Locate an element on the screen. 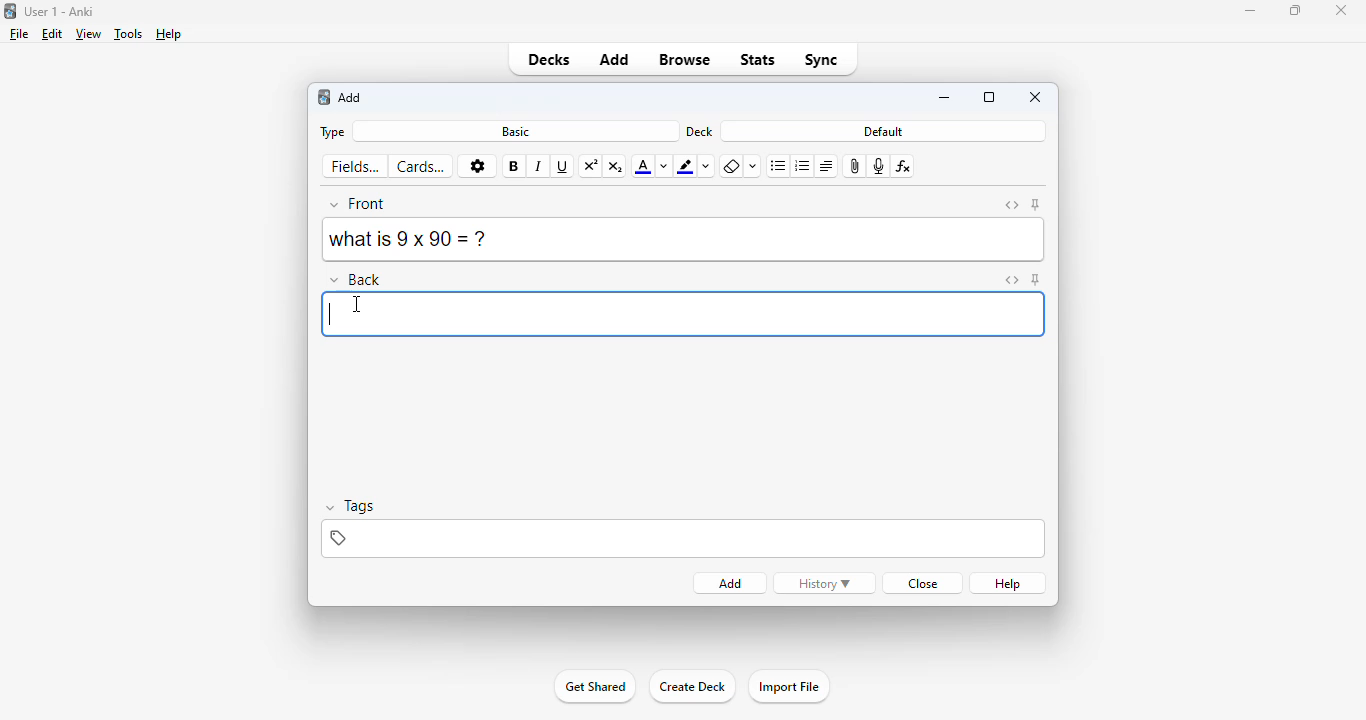 The height and width of the screenshot is (720, 1366). underline is located at coordinates (563, 167).